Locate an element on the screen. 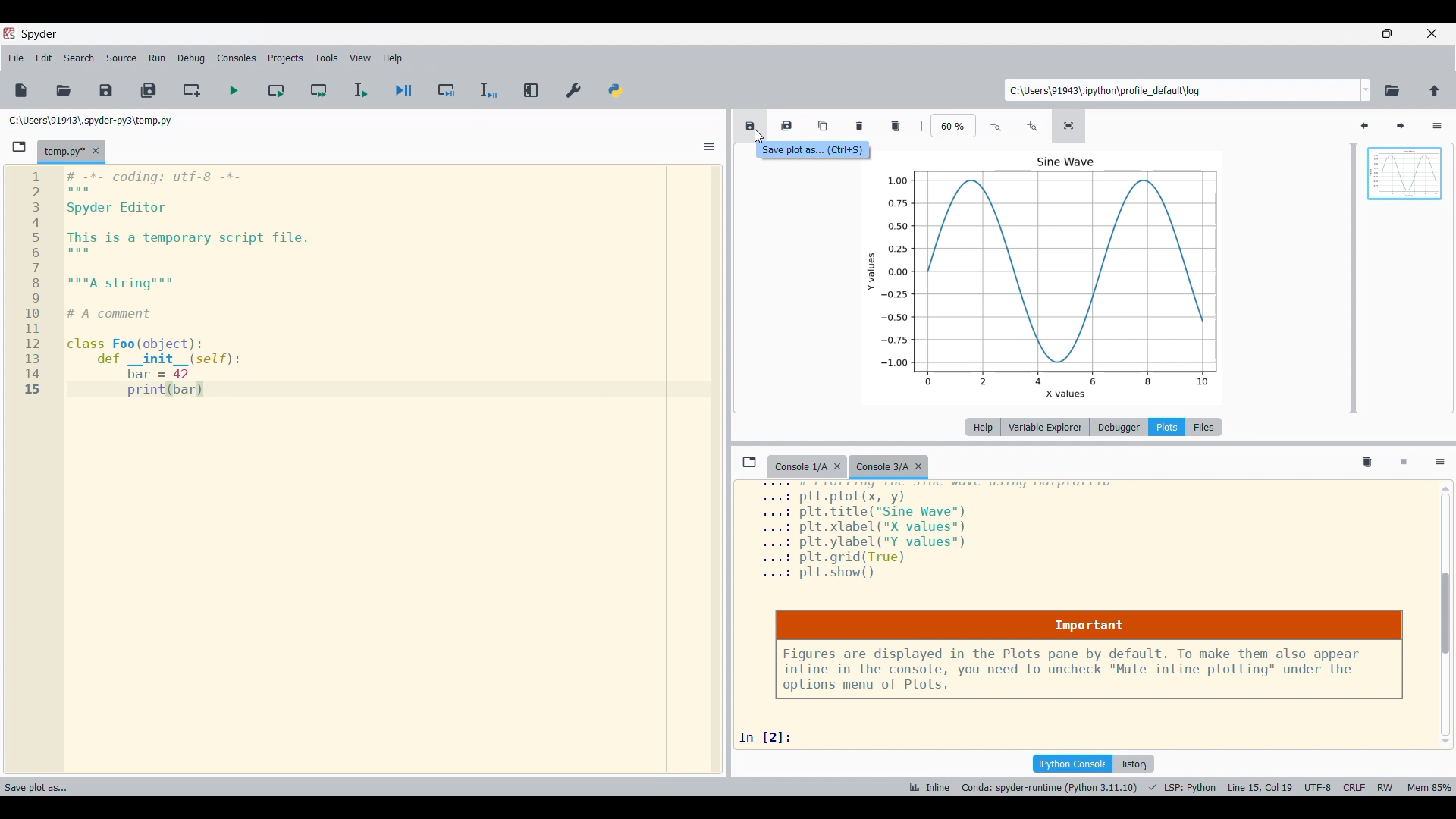  INTERPRETER is located at coordinates (1050, 787).